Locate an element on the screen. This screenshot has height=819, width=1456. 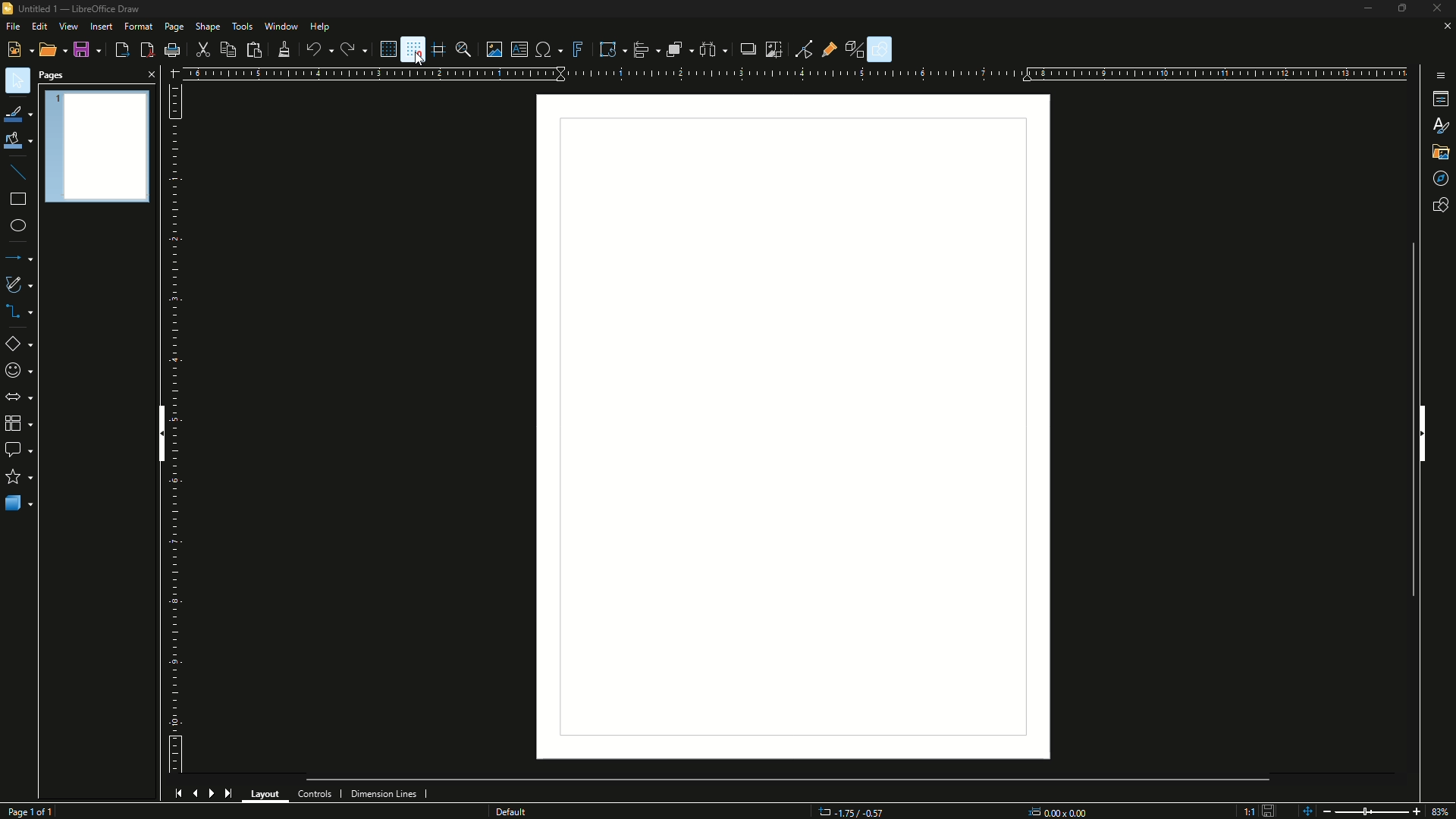
Print is located at coordinates (172, 50).